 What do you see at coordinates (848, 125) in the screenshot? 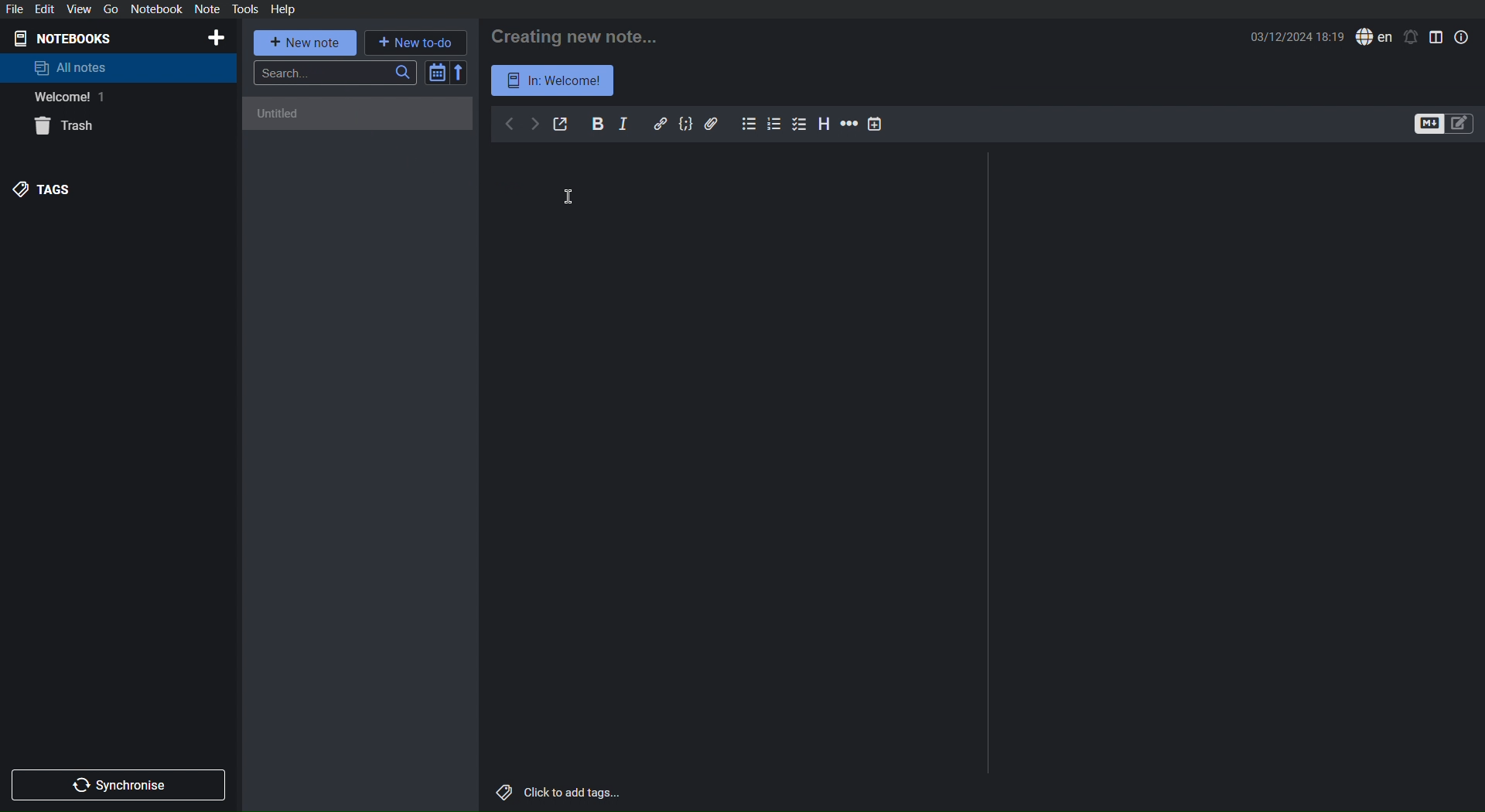
I see `Horizontal Rule` at bounding box center [848, 125].